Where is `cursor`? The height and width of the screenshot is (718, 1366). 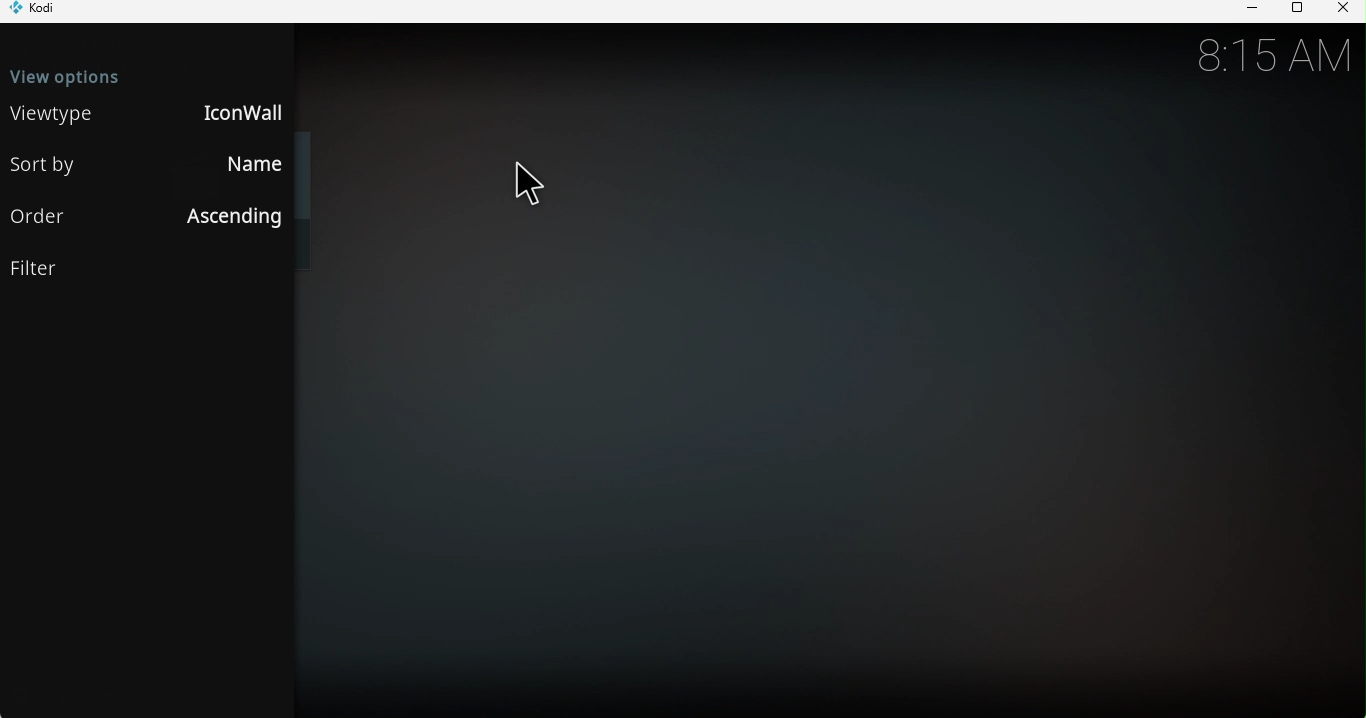 cursor is located at coordinates (527, 186).